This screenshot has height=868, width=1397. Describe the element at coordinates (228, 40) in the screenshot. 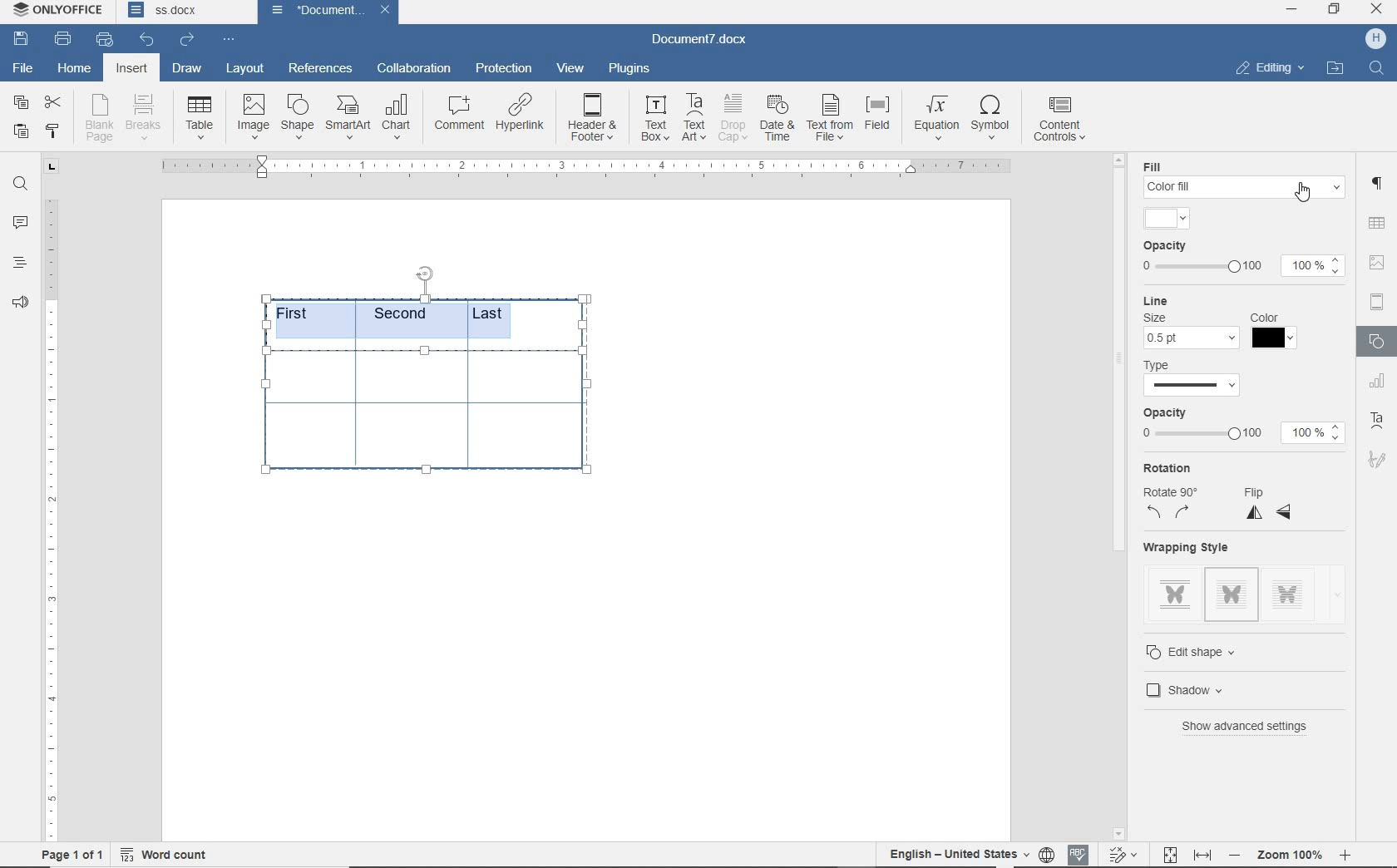

I see `customize quick access toolbar` at that location.